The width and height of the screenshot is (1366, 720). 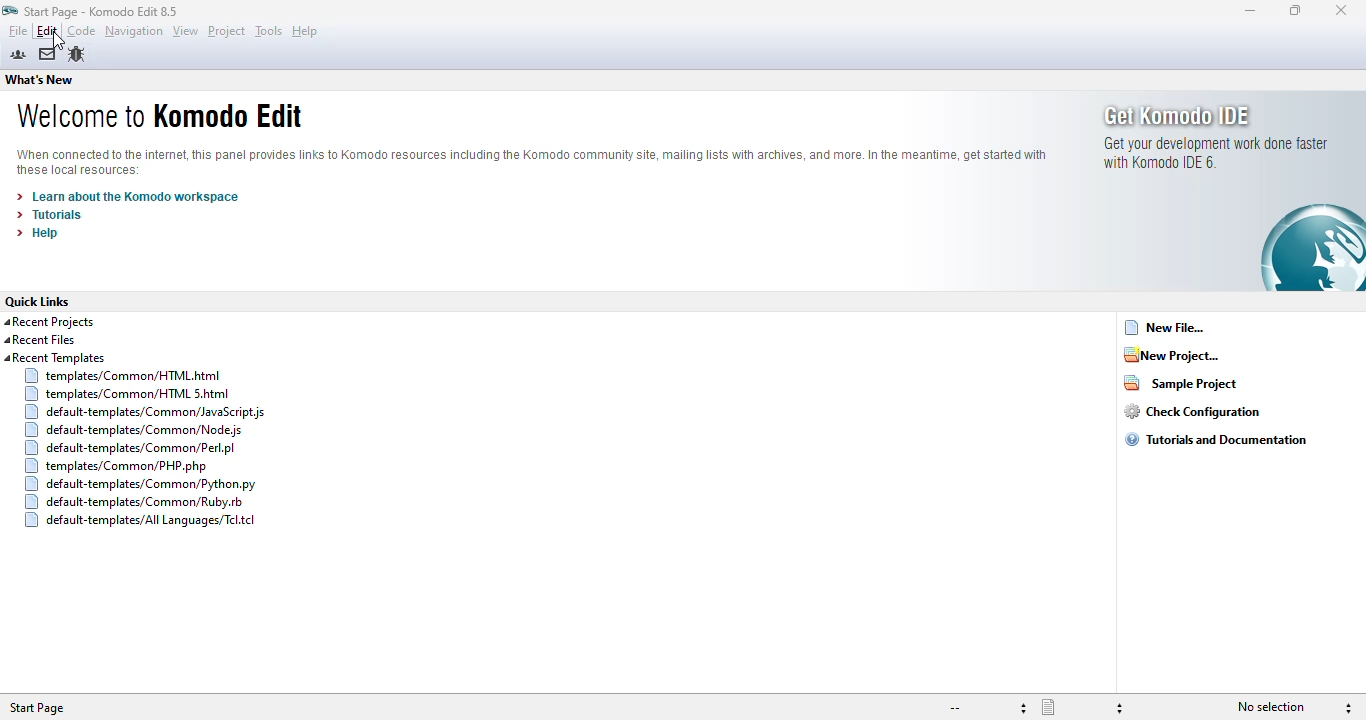 What do you see at coordinates (1250, 11) in the screenshot?
I see `minimize` at bounding box center [1250, 11].